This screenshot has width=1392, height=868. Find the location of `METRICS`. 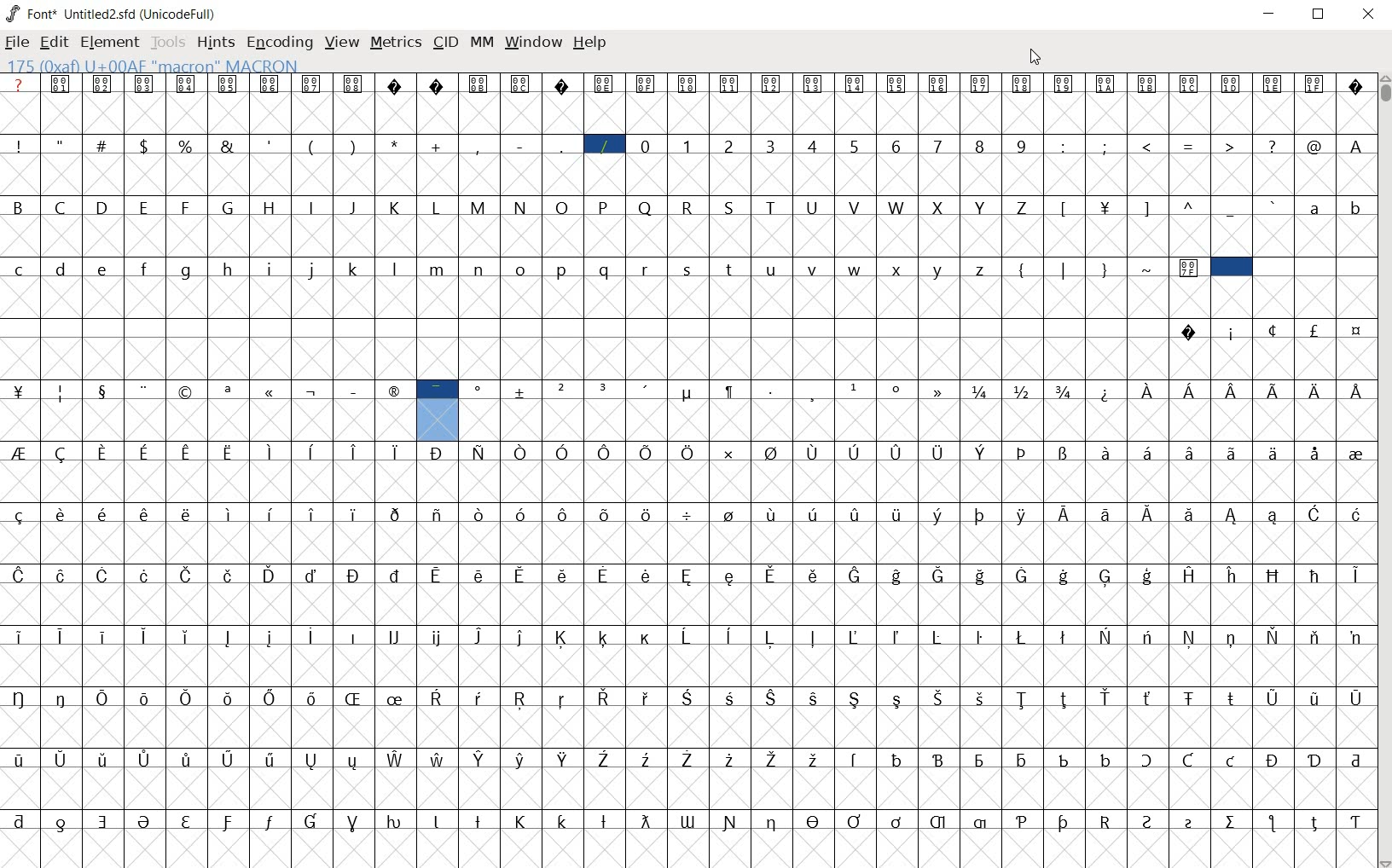

METRICS is located at coordinates (395, 44).